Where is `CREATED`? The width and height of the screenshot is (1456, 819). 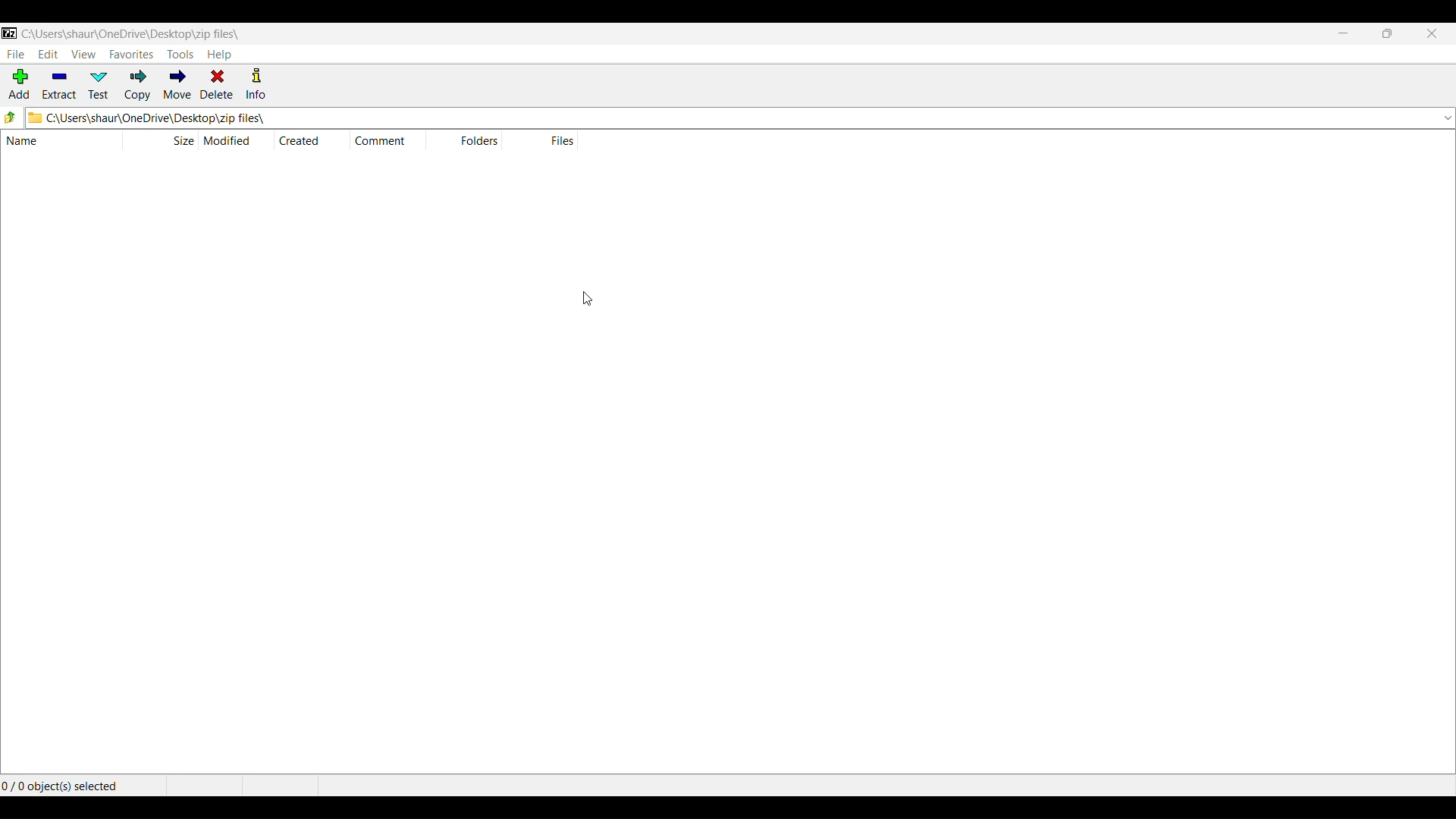 CREATED is located at coordinates (300, 140).